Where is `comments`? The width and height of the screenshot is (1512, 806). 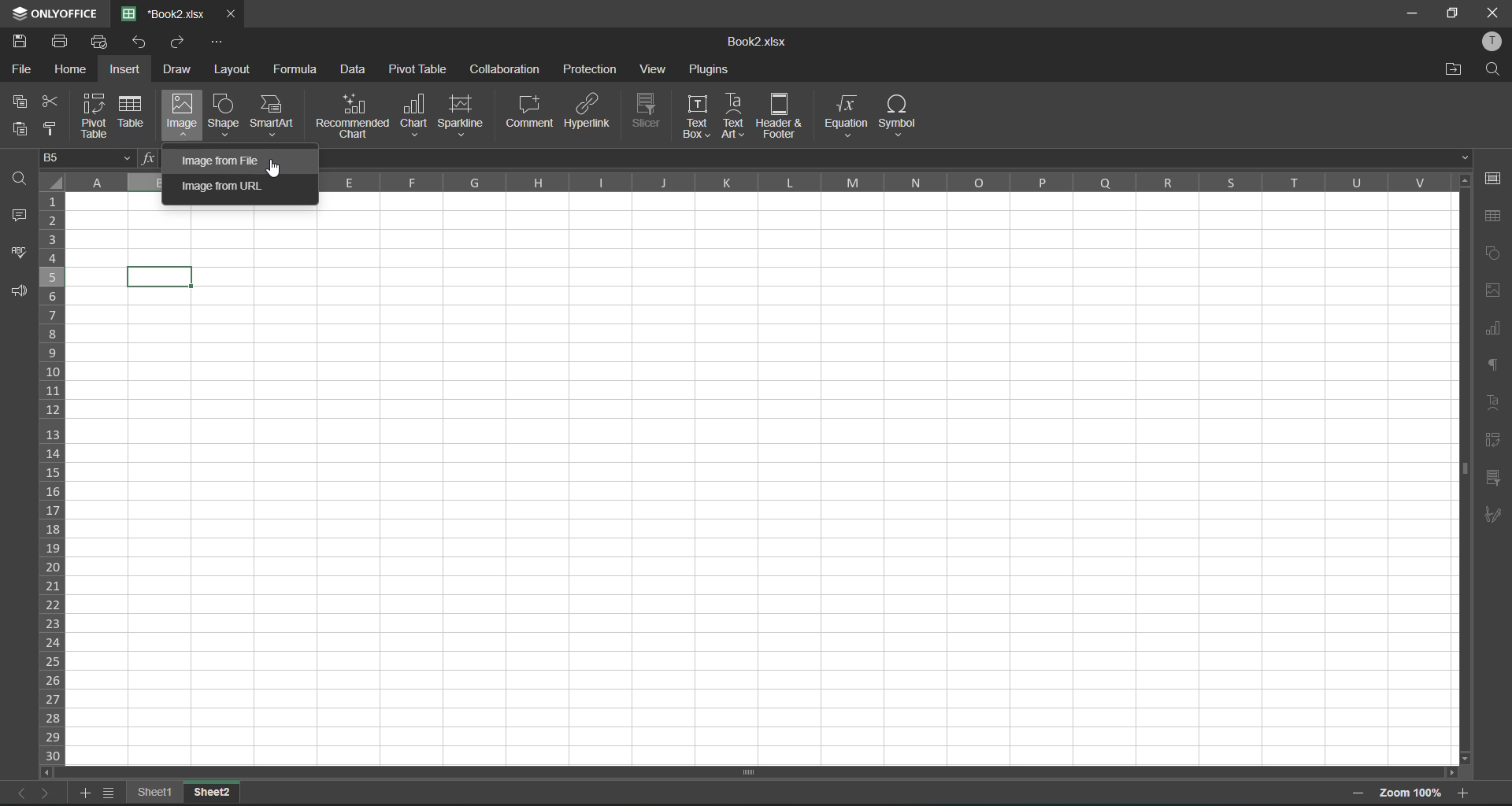
comments is located at coordinates (20, 220).